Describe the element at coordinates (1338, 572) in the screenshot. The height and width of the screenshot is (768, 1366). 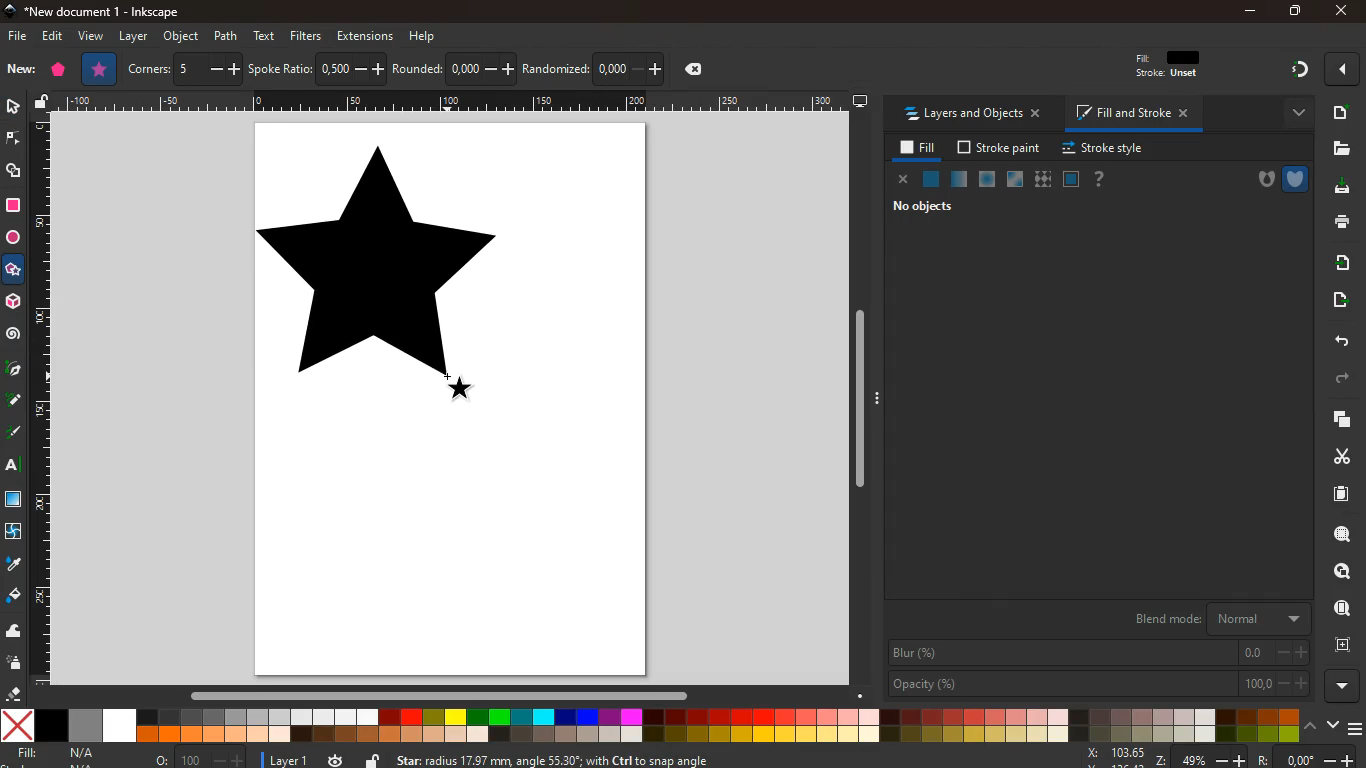
I see `search` at that location.